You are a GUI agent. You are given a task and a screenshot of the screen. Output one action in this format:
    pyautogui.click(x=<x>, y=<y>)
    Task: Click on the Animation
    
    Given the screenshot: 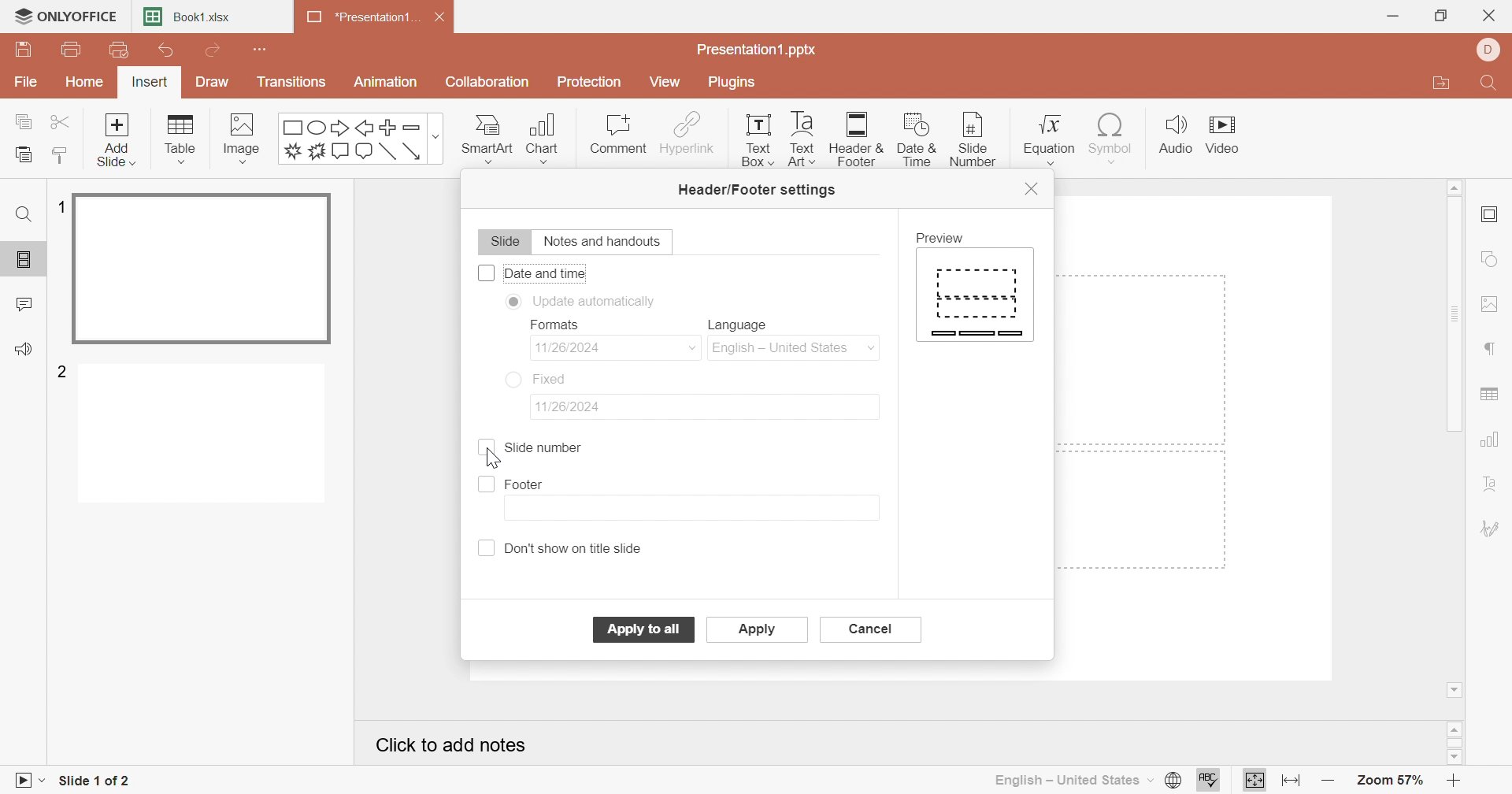 What is the action you would take?
    pyautogui.click(x=387, y=82)
    